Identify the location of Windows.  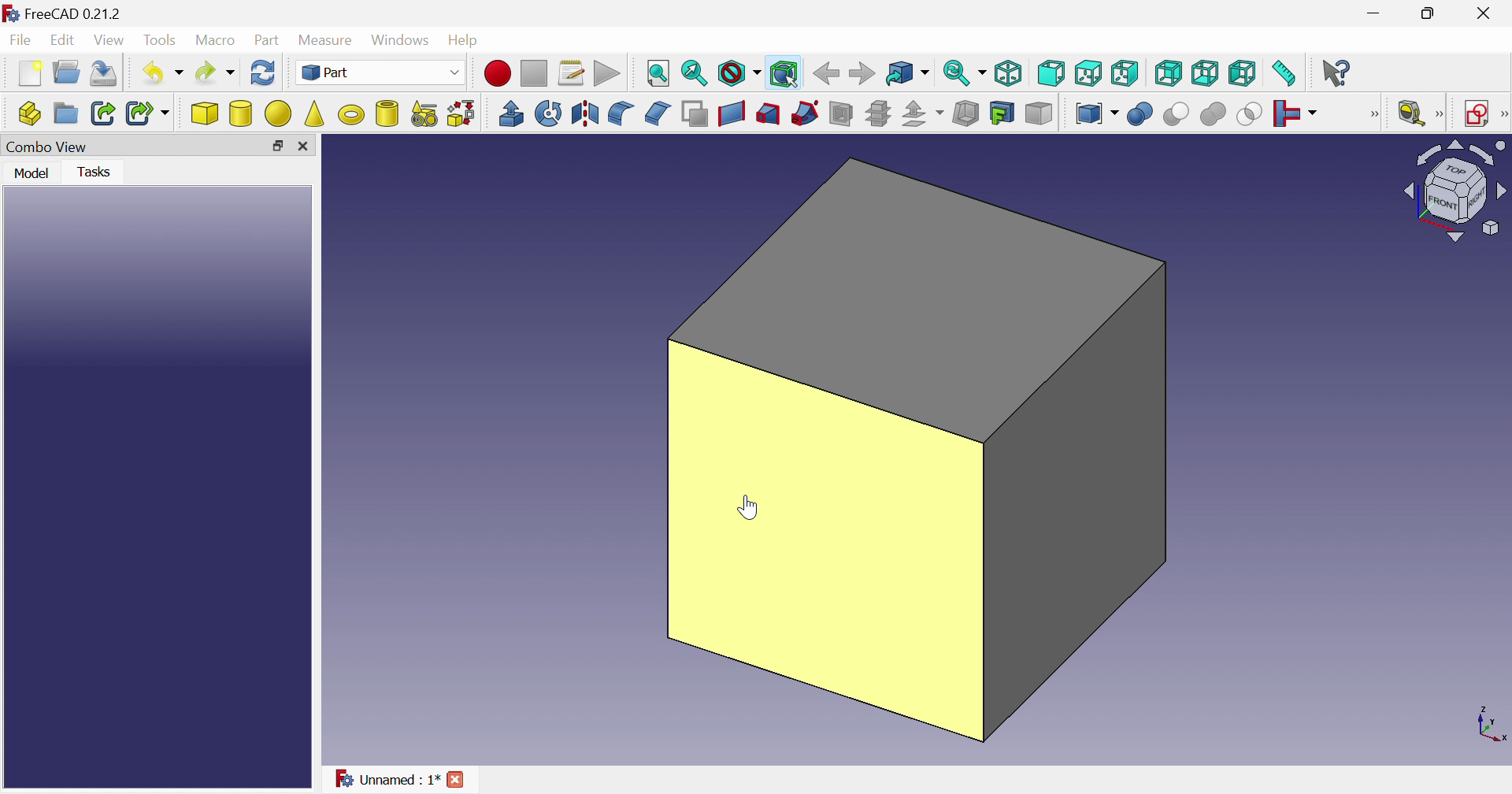
(402, 42).